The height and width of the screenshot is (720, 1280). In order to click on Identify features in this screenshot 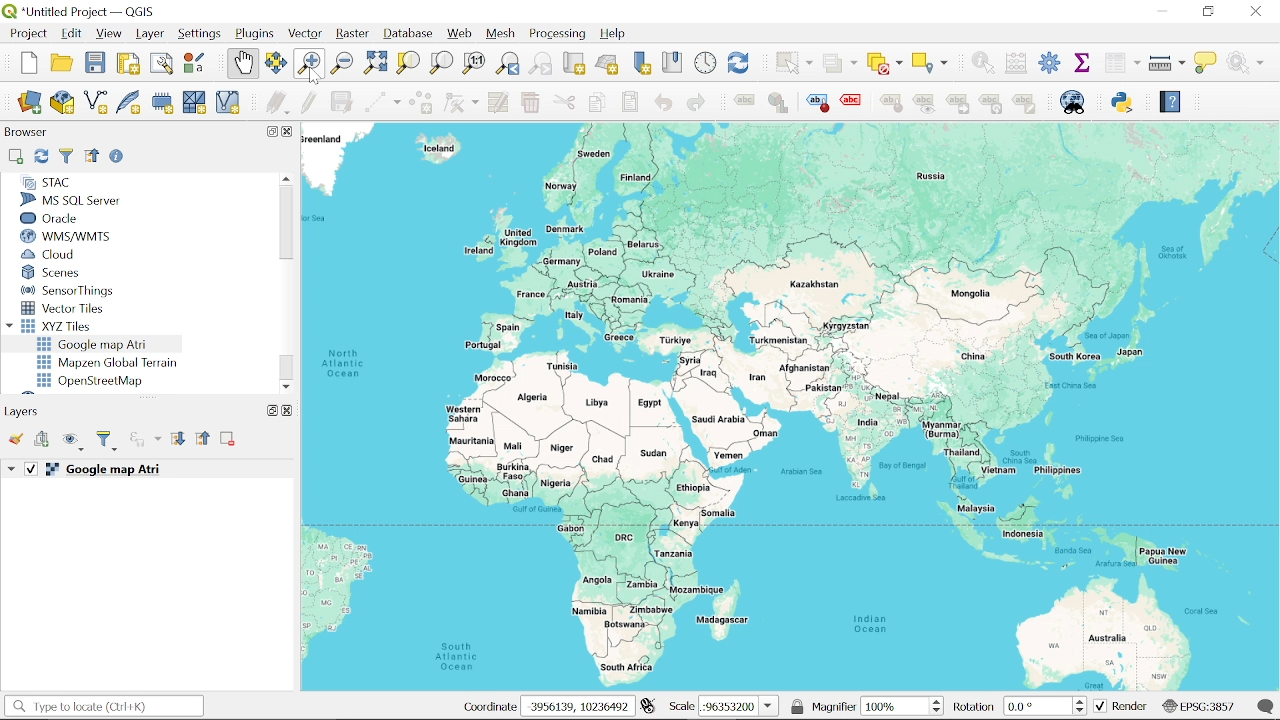, I will do `click(979, 62)`.